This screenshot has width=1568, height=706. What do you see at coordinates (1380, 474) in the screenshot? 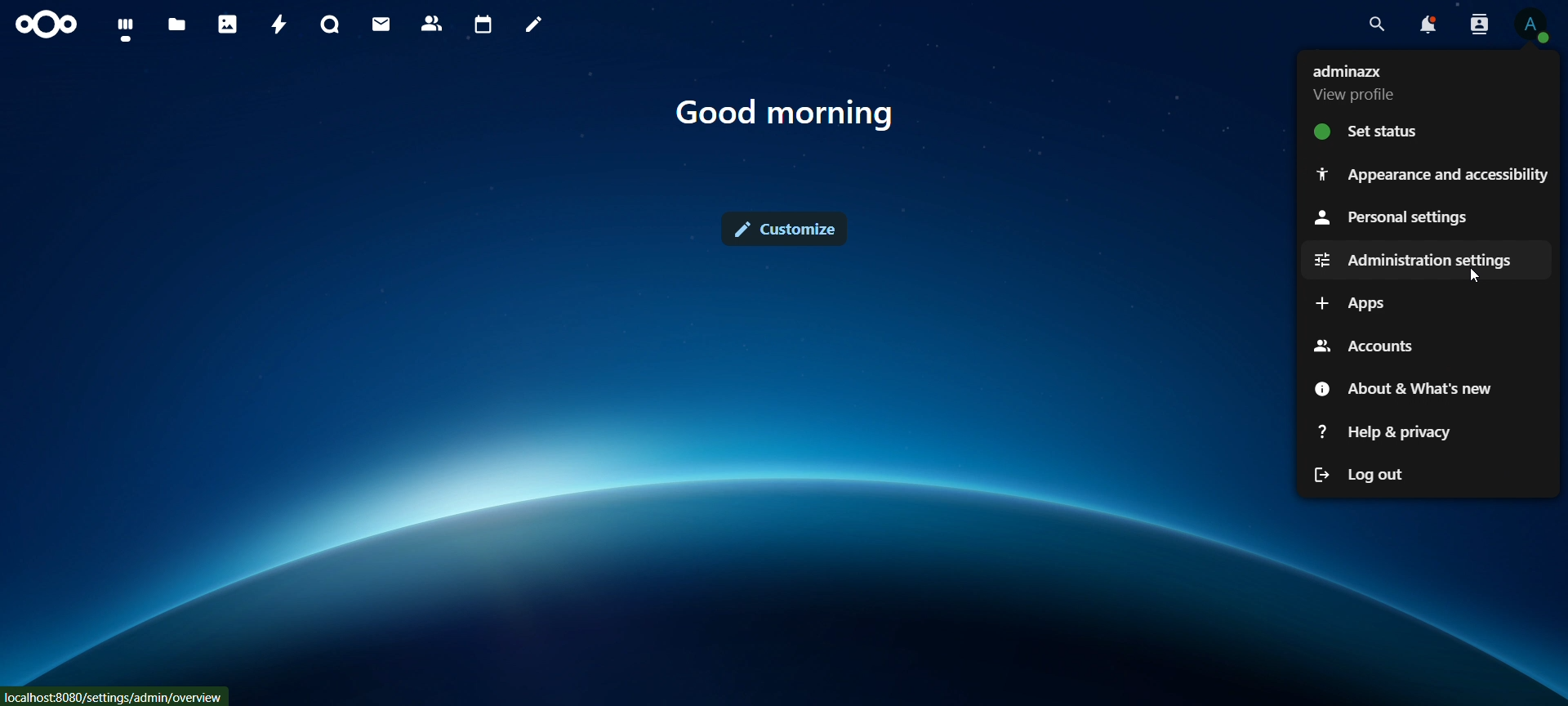
I see `log out` at bounding box center [1380, 474].